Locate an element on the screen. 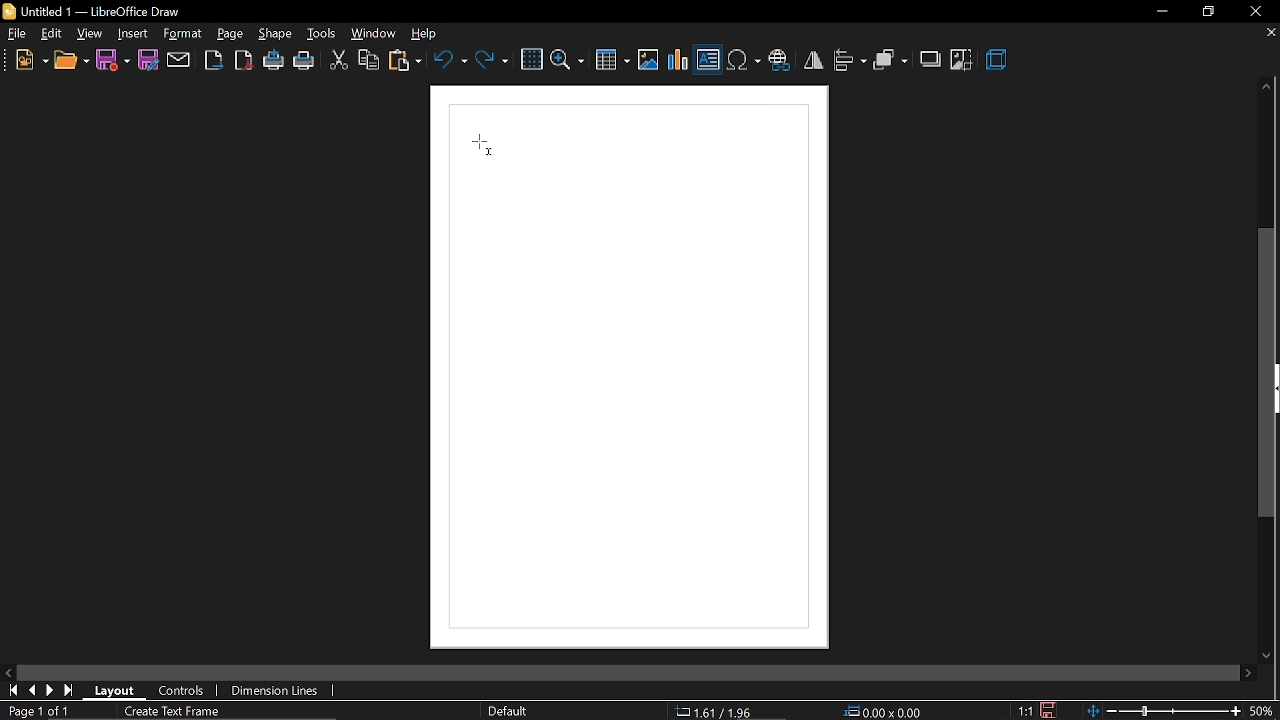  shadow is located at coordinates (932, 58).